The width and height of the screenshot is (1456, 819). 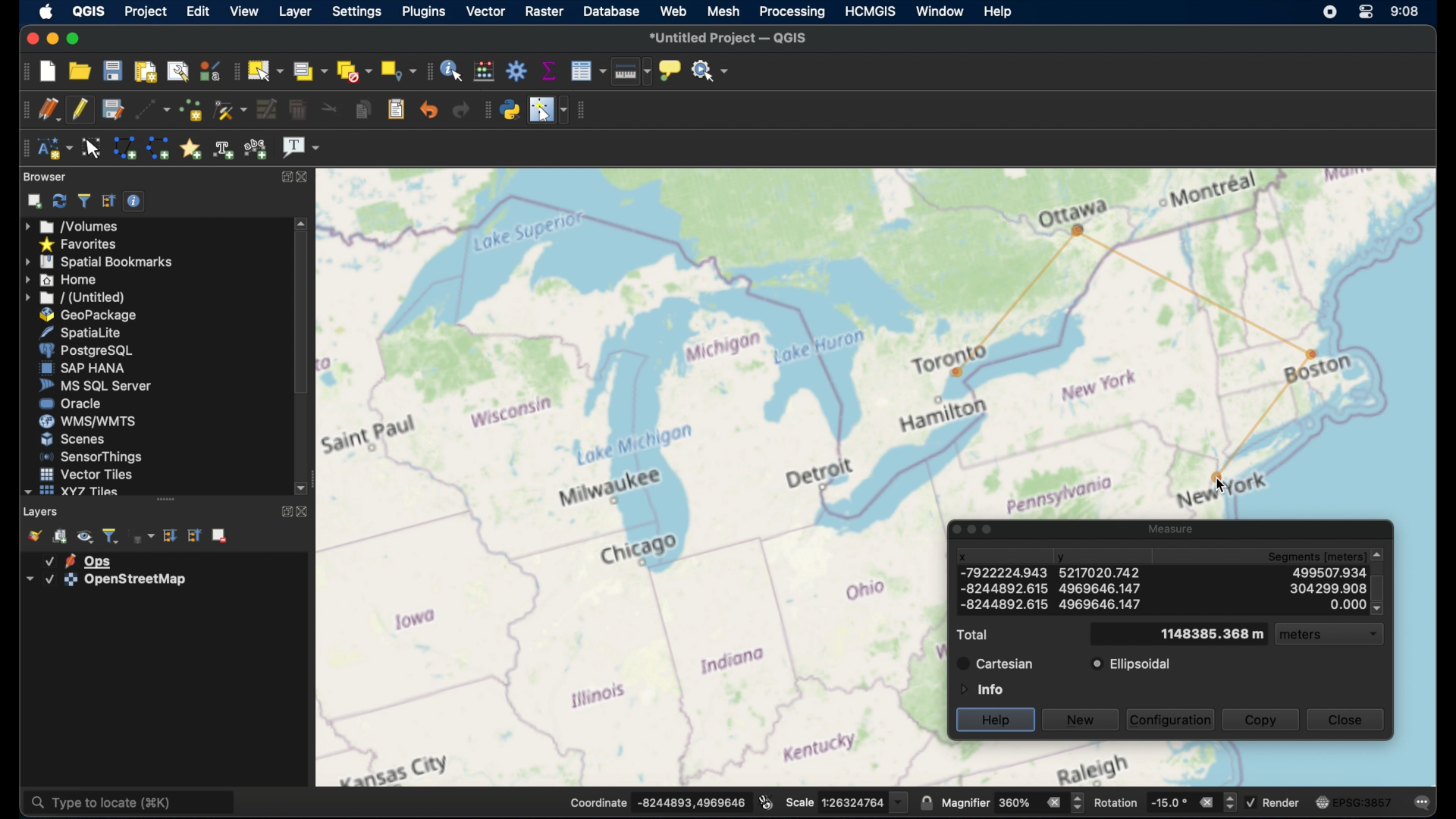 I want to click on qgis, so click(x=89, y=11).